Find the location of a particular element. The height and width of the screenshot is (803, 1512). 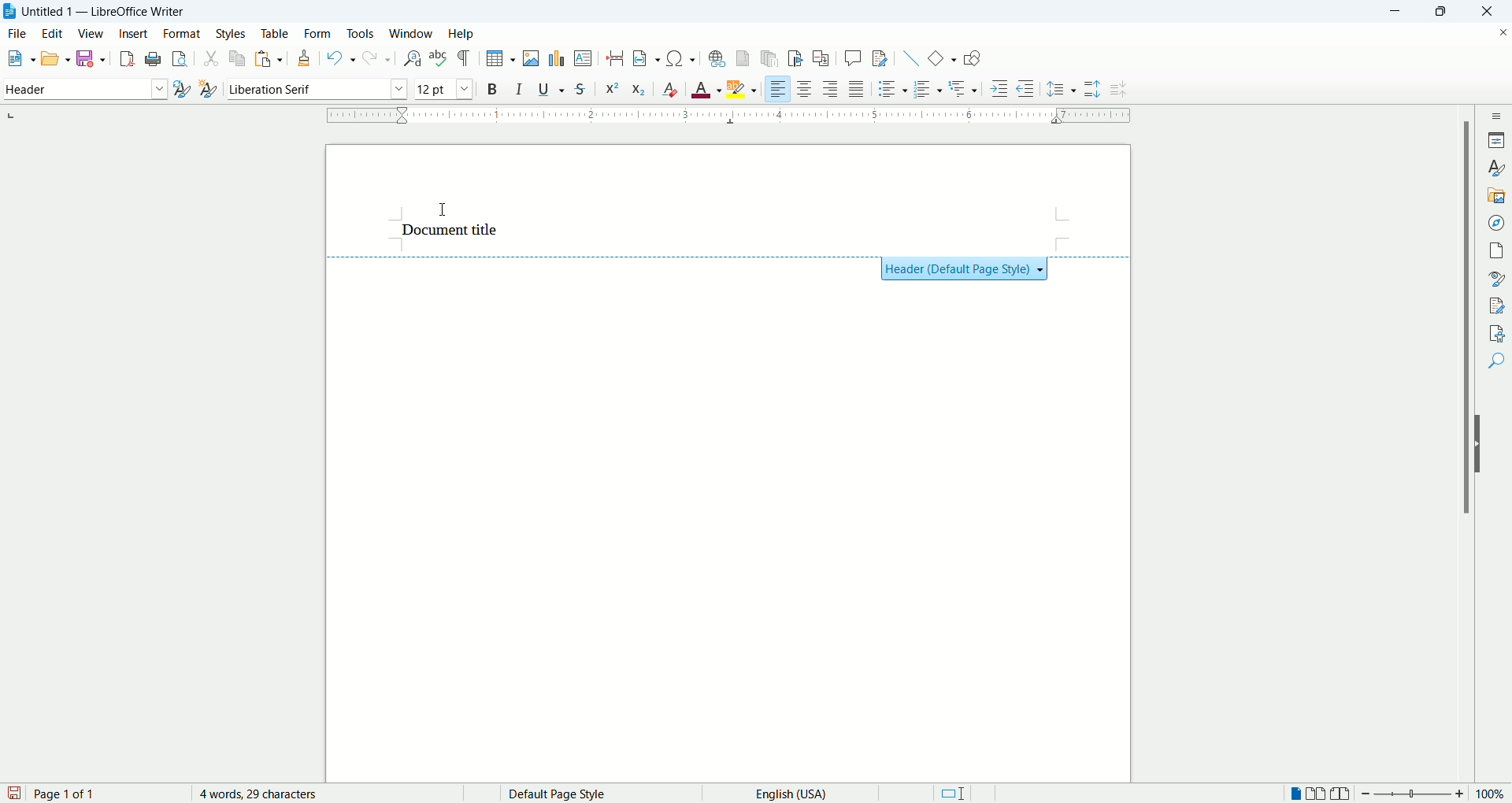

insert is located at coordinates (133, 33).